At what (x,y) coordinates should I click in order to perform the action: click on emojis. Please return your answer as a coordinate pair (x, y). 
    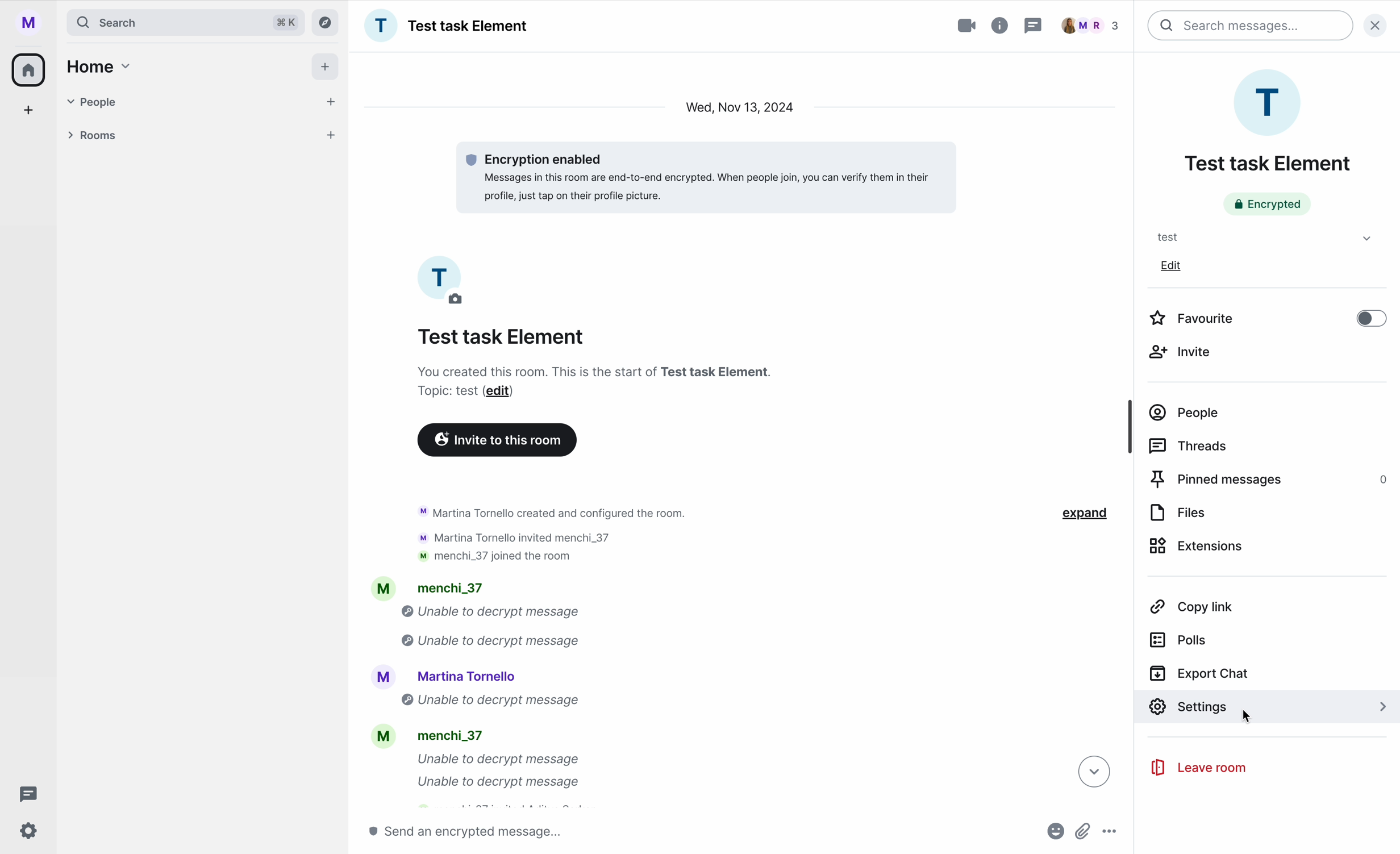
    Looking at the image, I should click on (1054, 832).